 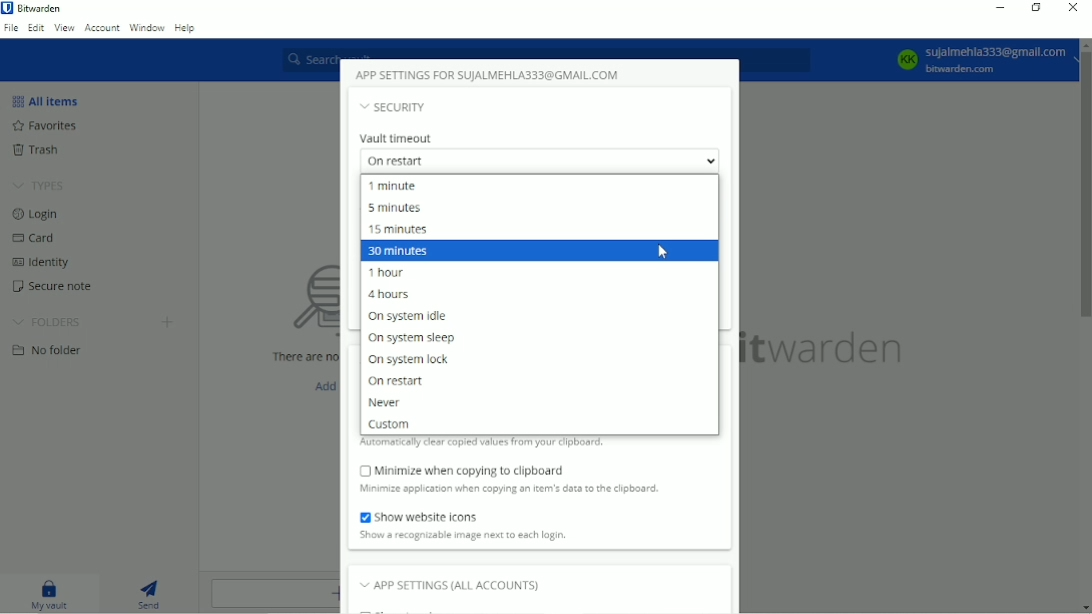 I want to click on View, so click(x=64, y=29).